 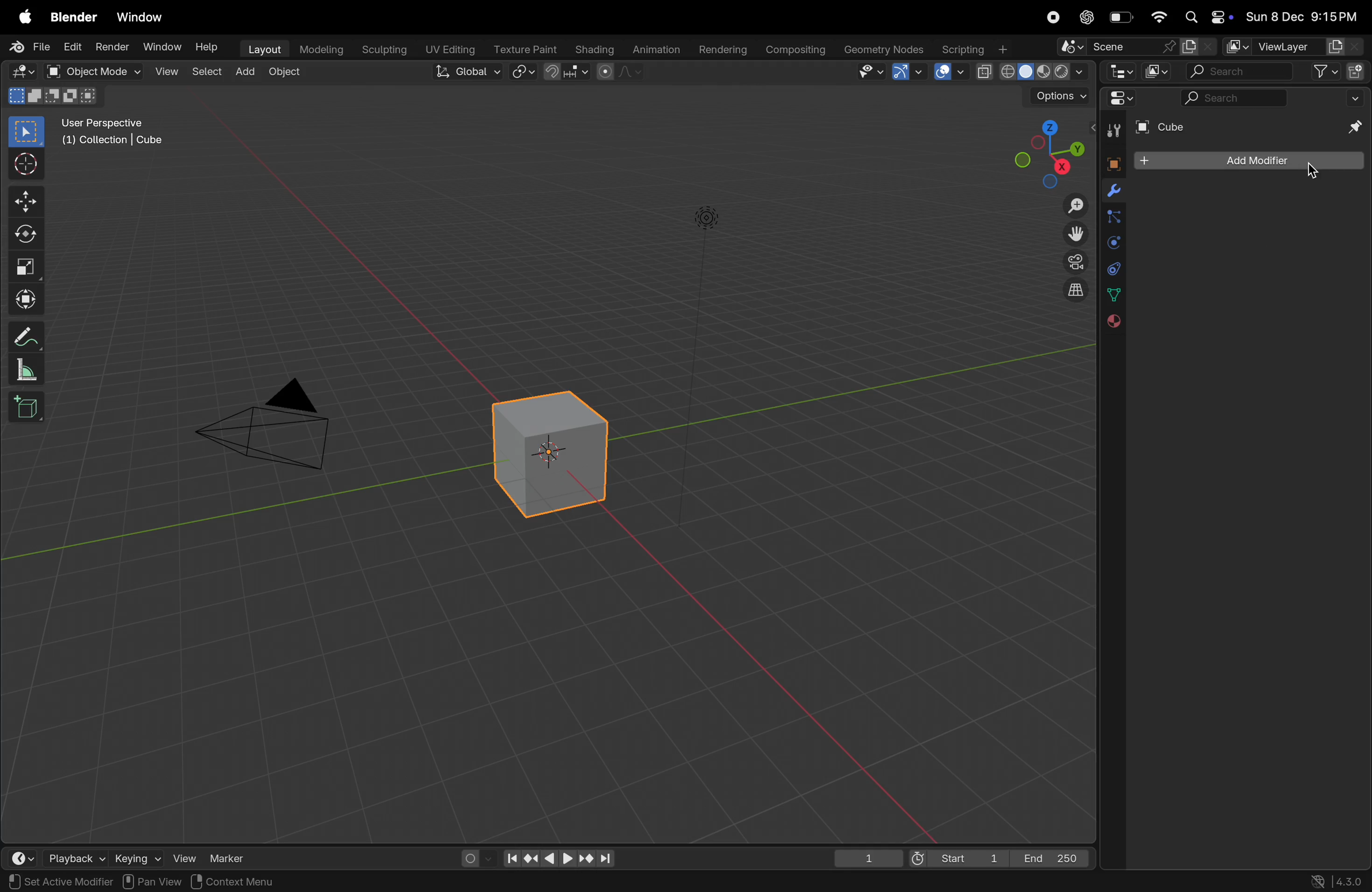 I want to click on move, so click(x=25, y=201).